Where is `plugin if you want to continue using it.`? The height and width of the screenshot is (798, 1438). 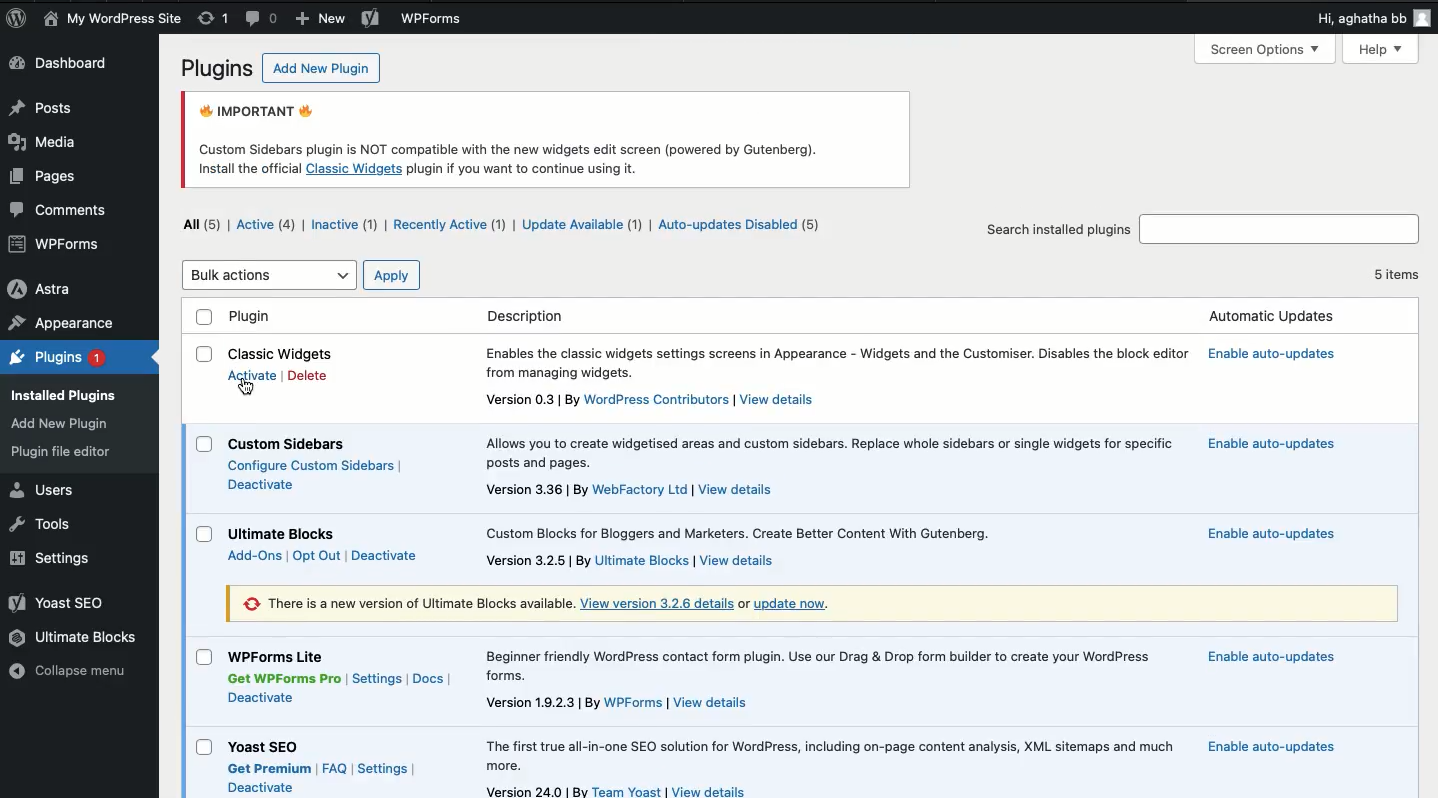
plugin if you want to continue using it. is located at coordinates (524, 169).